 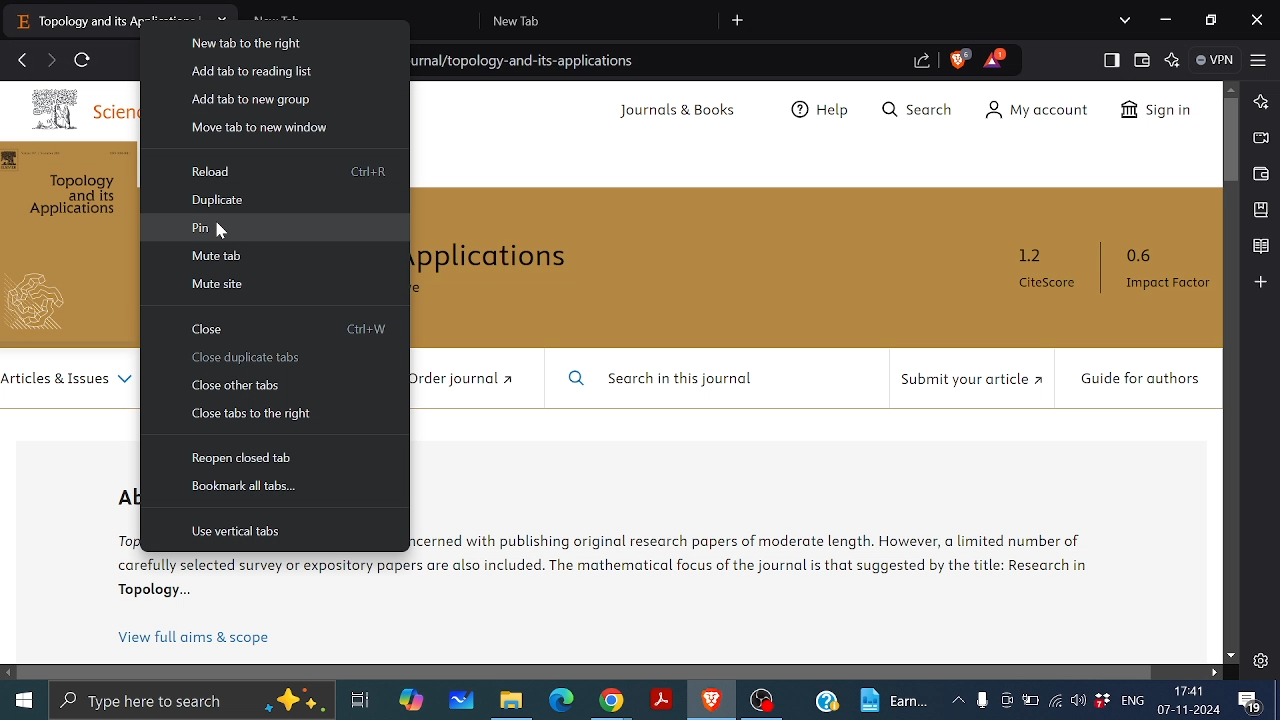 What do you see at coordinates (1142, 60) in the screenshot?
I see `Wallet` at bounding box center [1142, 60].